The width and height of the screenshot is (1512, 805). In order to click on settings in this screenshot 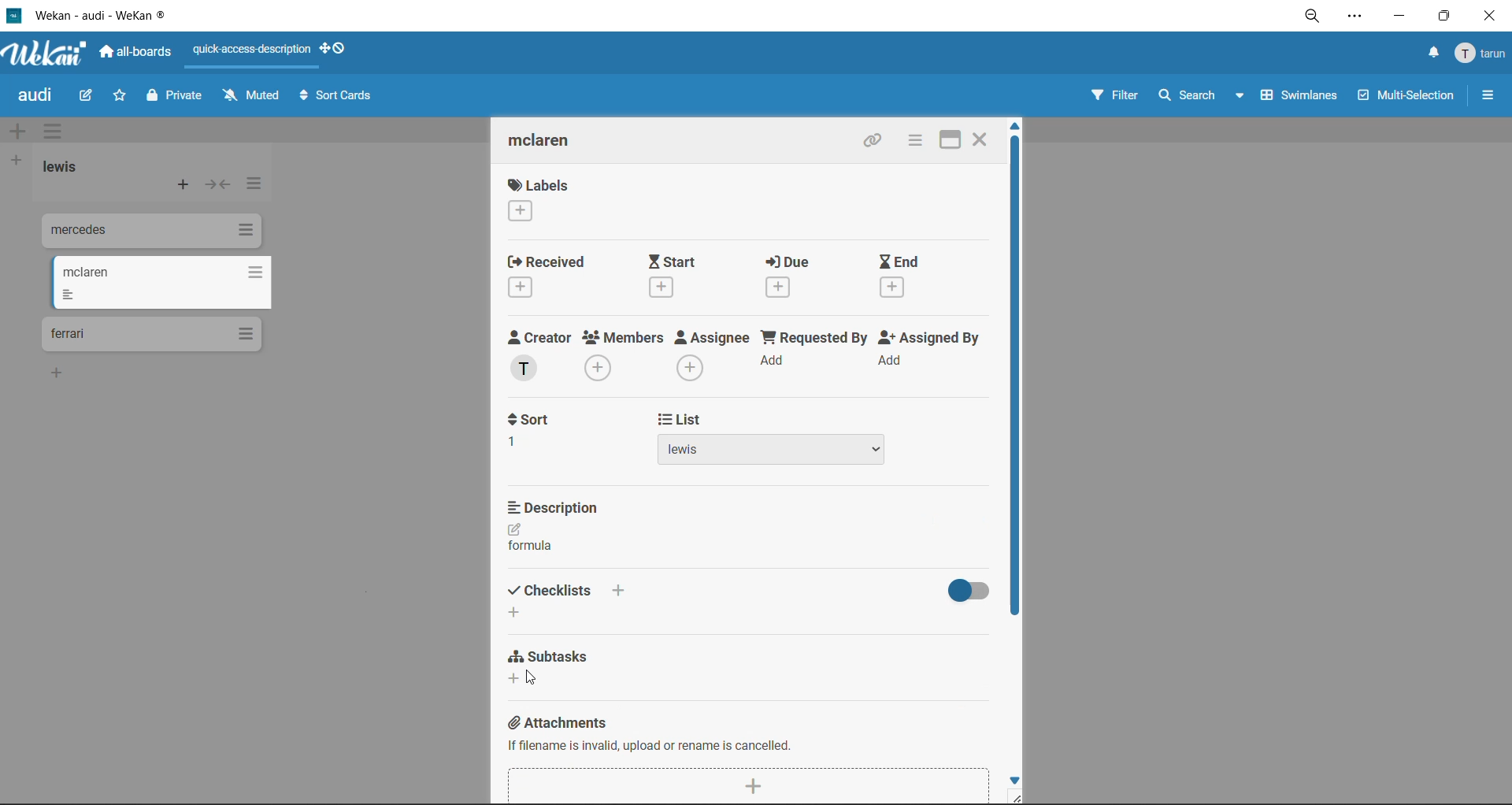, I will do `click(1354, 18)`.